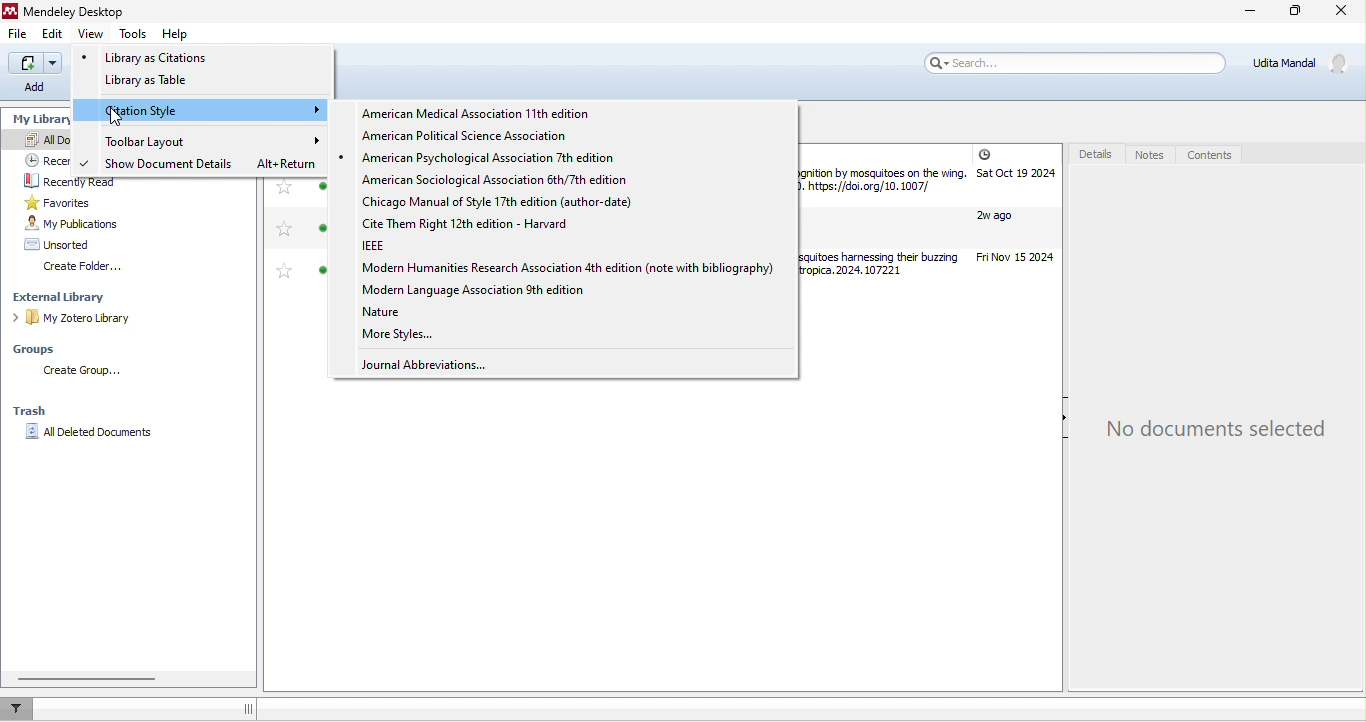  What do you see at coordinates (479, 224) in the screenshot?
I see `Cite Them Right 12th edition - Harvard` at bounding box center [479, 224].